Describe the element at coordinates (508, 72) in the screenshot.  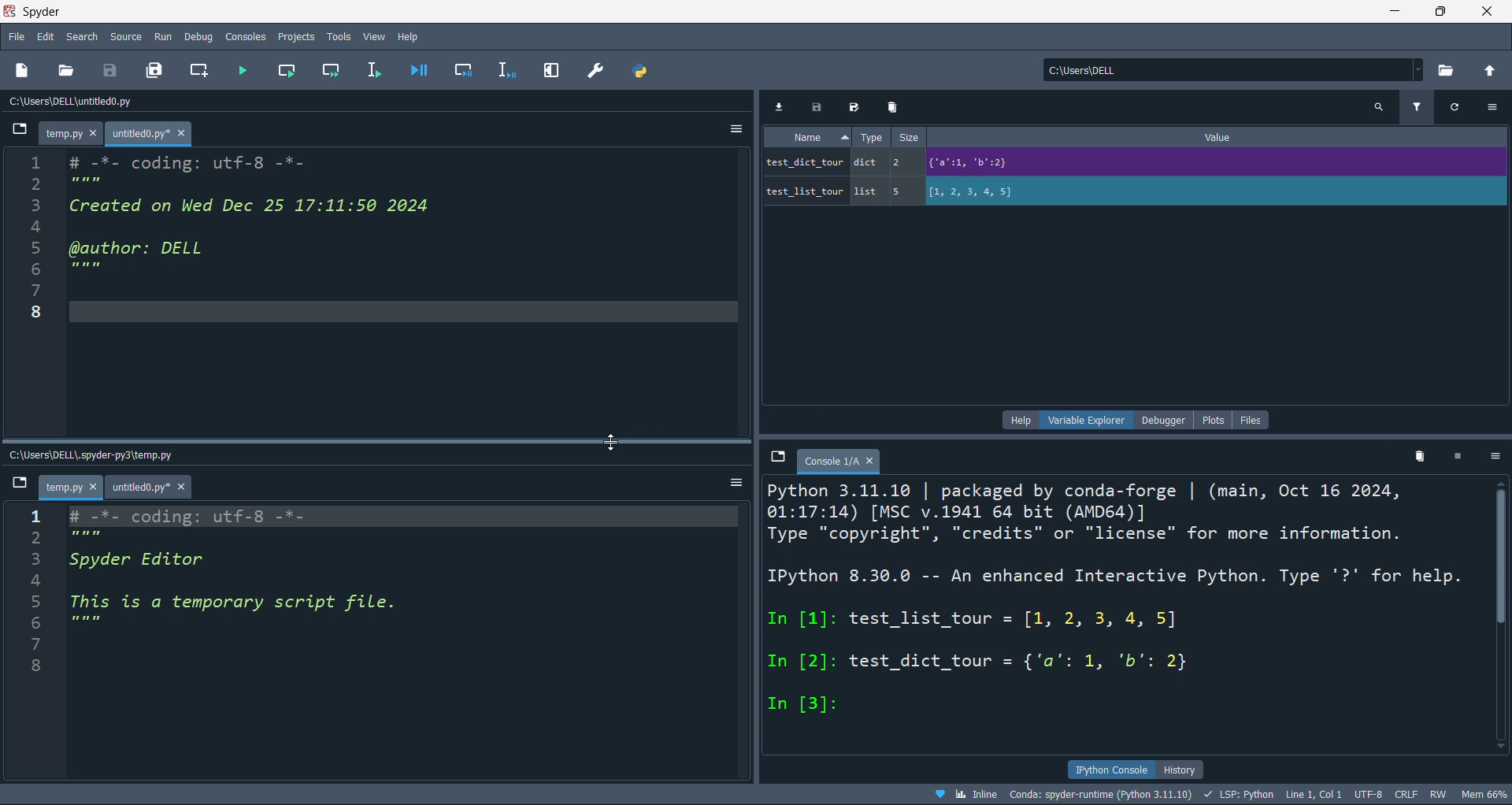
I see `debug line` at that location.